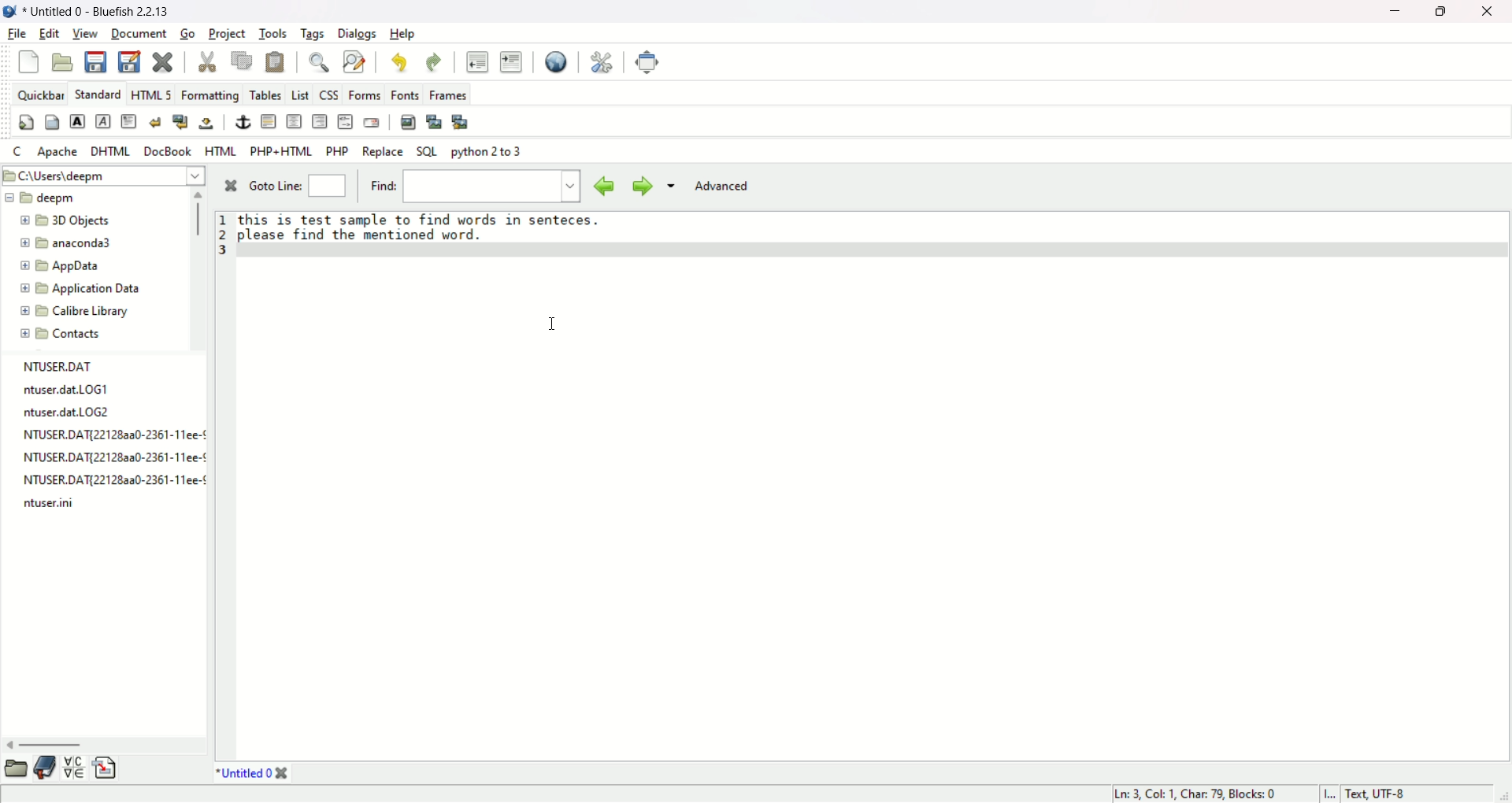  What do you see at coordinates (53, 123) in the screenshot?
I see `body` at bounding box center [53, 123].